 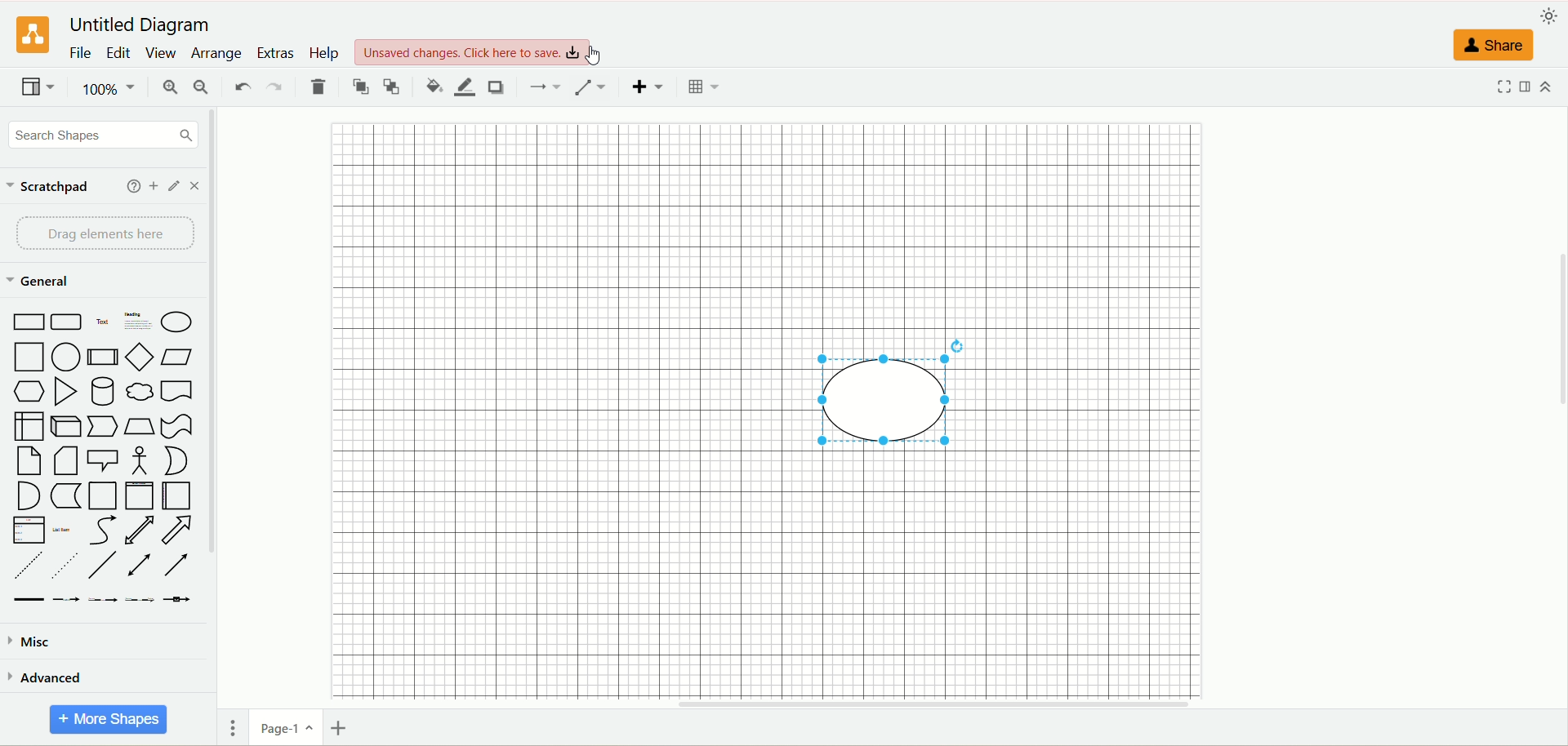 I want to click on general, so click(x=42, y=283).